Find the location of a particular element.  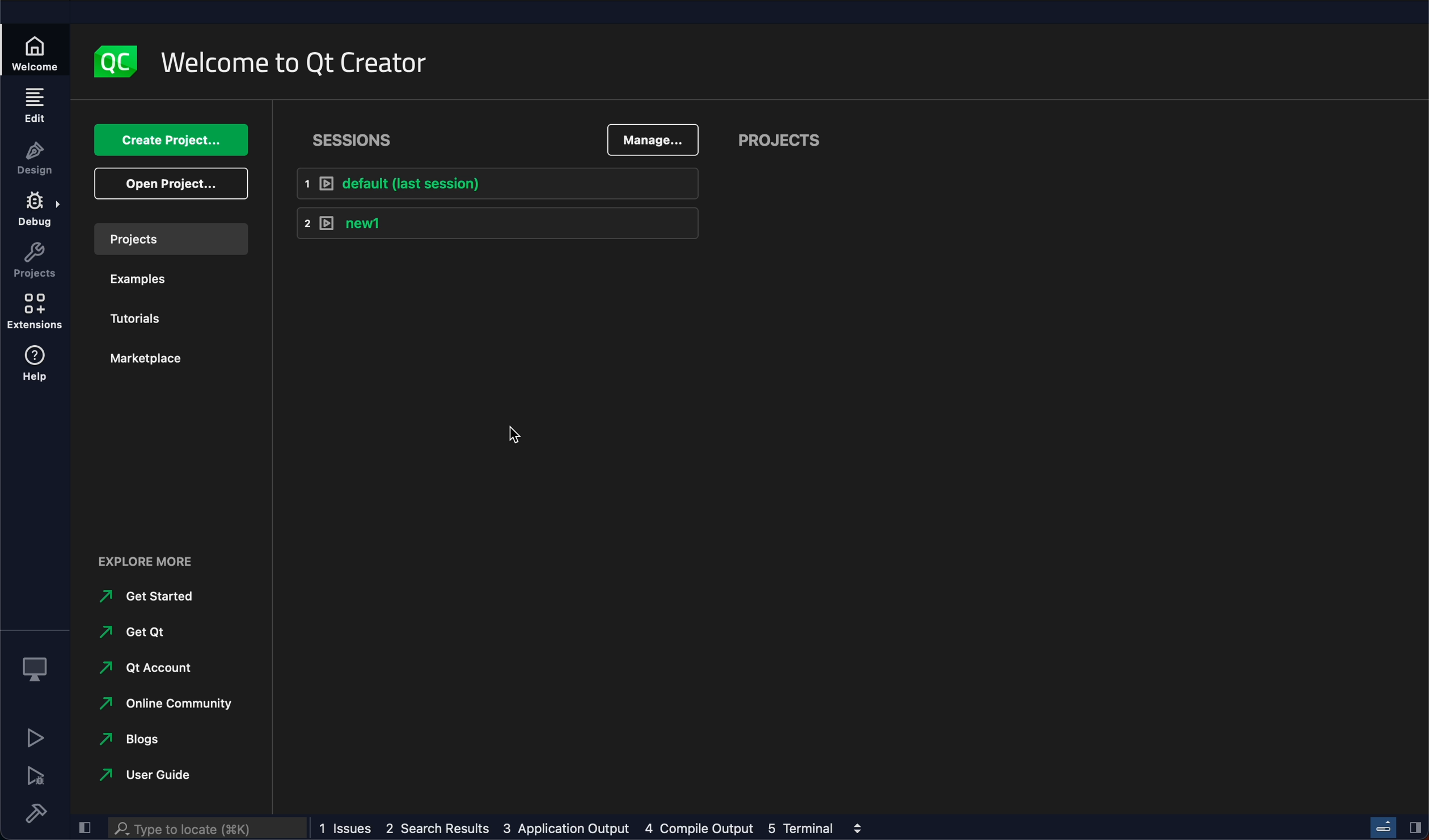

welcome is located at coordinates (36, 52).